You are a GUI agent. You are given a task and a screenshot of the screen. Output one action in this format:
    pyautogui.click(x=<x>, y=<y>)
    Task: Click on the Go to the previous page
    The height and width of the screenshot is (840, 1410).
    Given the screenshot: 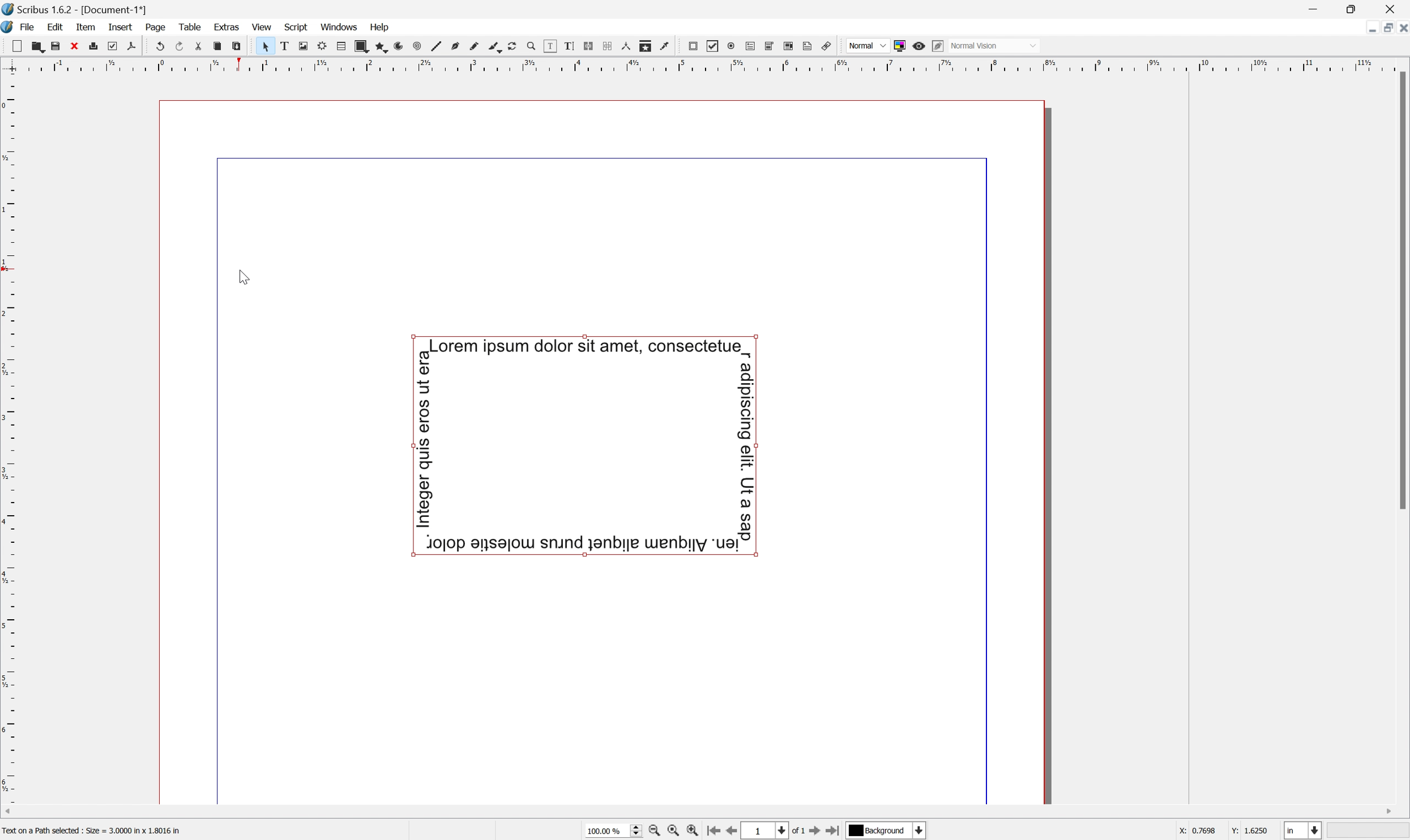 What is the action you would take?
    pyautogui.click(x=735, y=830)
    